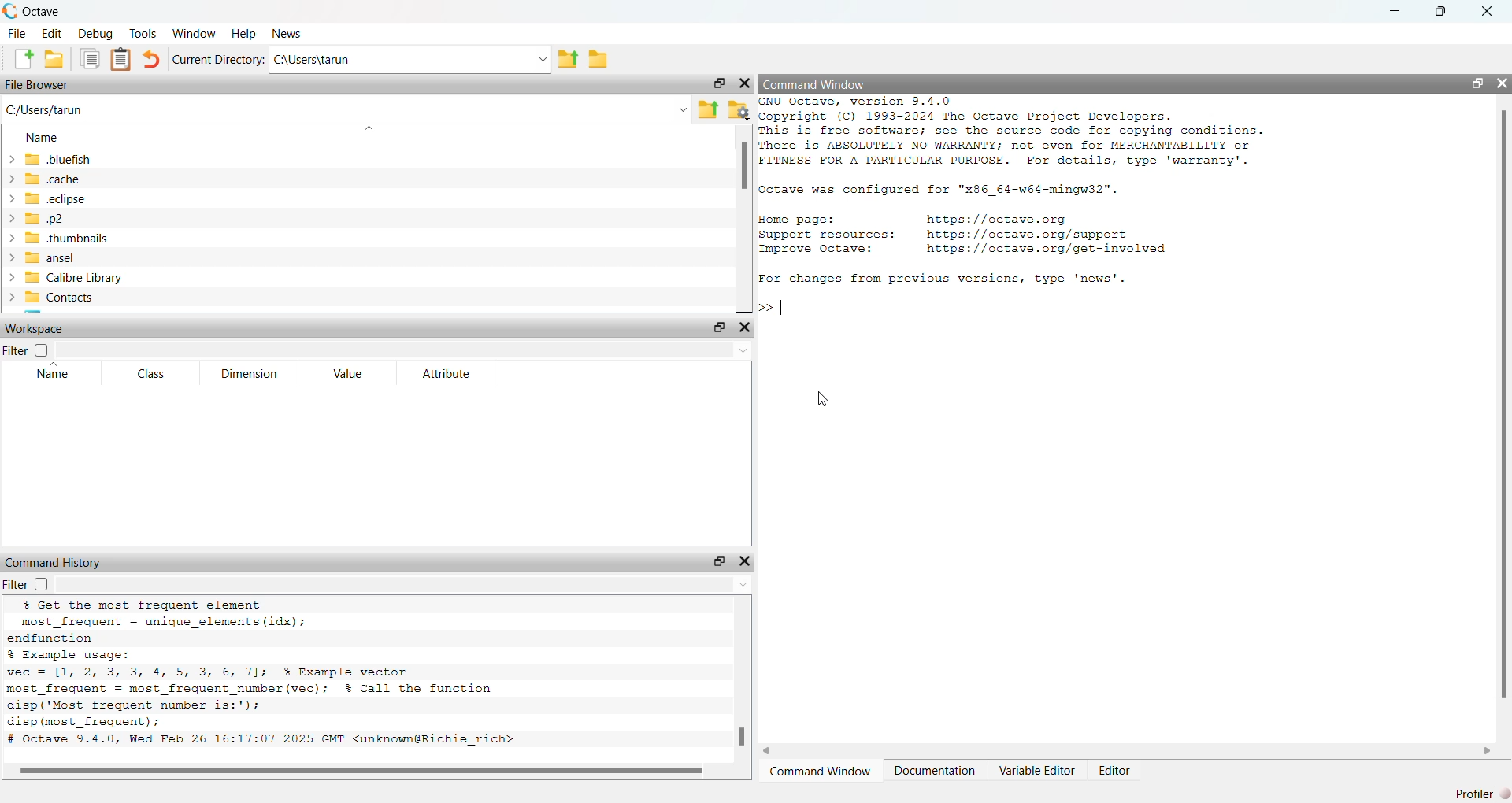  What do you see at coordinates (219, 58) in the screenshot?
I see `Current Directory:` at bounding box center [219, 58].